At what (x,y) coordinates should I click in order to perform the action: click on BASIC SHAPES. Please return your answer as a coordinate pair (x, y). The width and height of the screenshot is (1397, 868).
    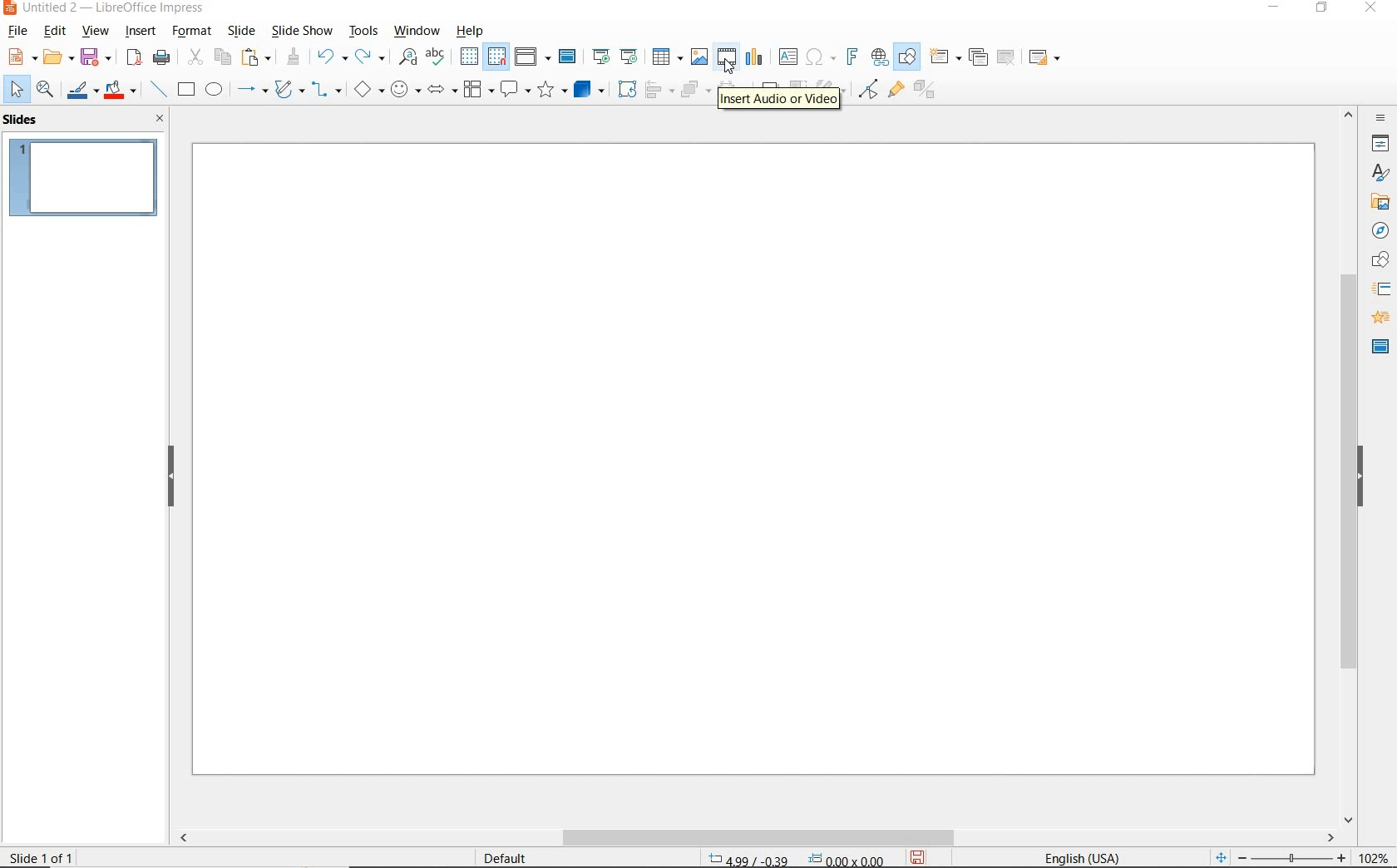
    Looking at the image, I should click on (368, 88).